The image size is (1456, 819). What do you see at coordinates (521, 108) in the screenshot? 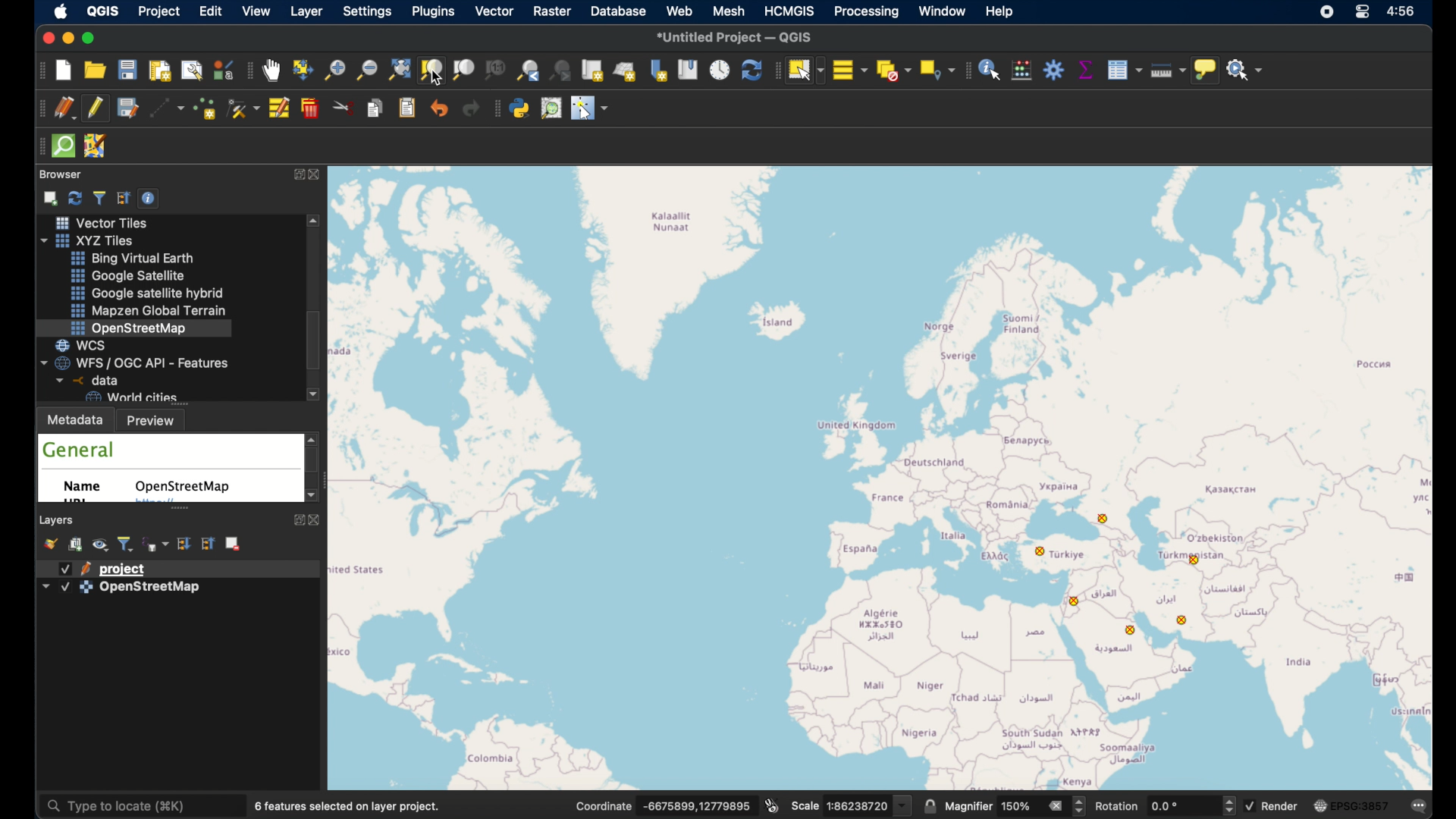
I see `python console` at bounding box center [521, 108].